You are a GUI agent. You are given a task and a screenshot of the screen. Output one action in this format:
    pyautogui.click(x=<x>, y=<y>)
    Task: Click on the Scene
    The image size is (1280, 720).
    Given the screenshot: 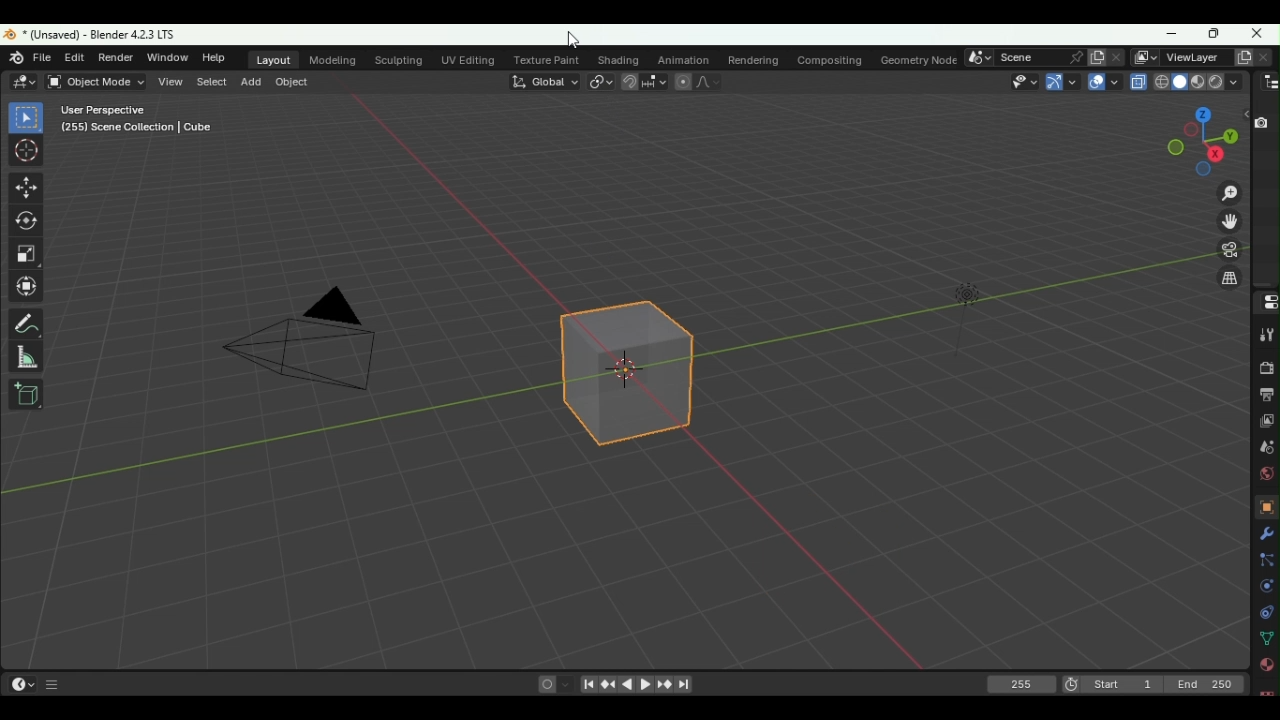 What is the action you would take?
    pyautogui.click(x=1265, y=447)
    